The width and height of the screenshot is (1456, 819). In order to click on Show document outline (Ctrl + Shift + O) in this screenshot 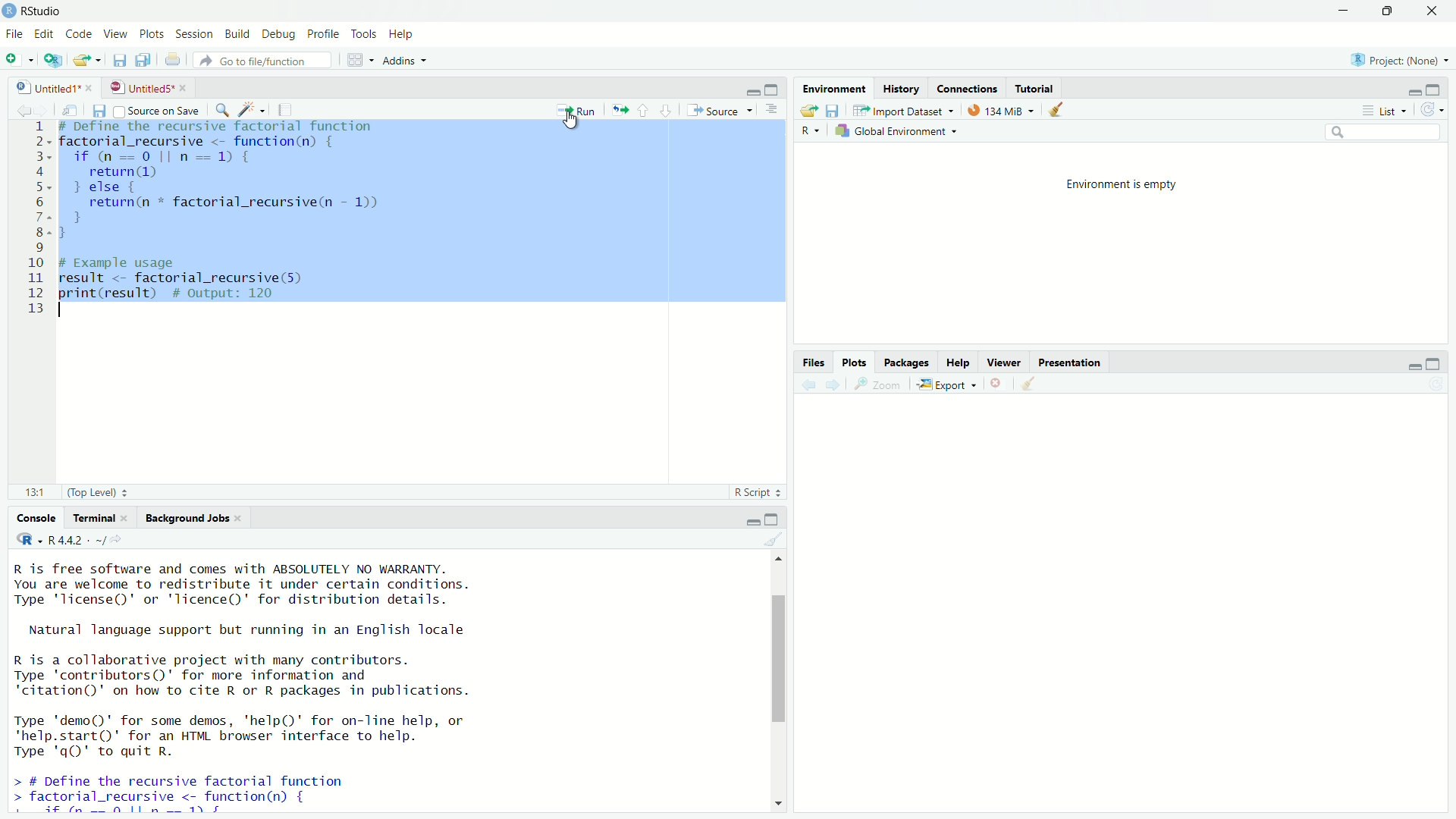, I will do `click(774, 111)`.